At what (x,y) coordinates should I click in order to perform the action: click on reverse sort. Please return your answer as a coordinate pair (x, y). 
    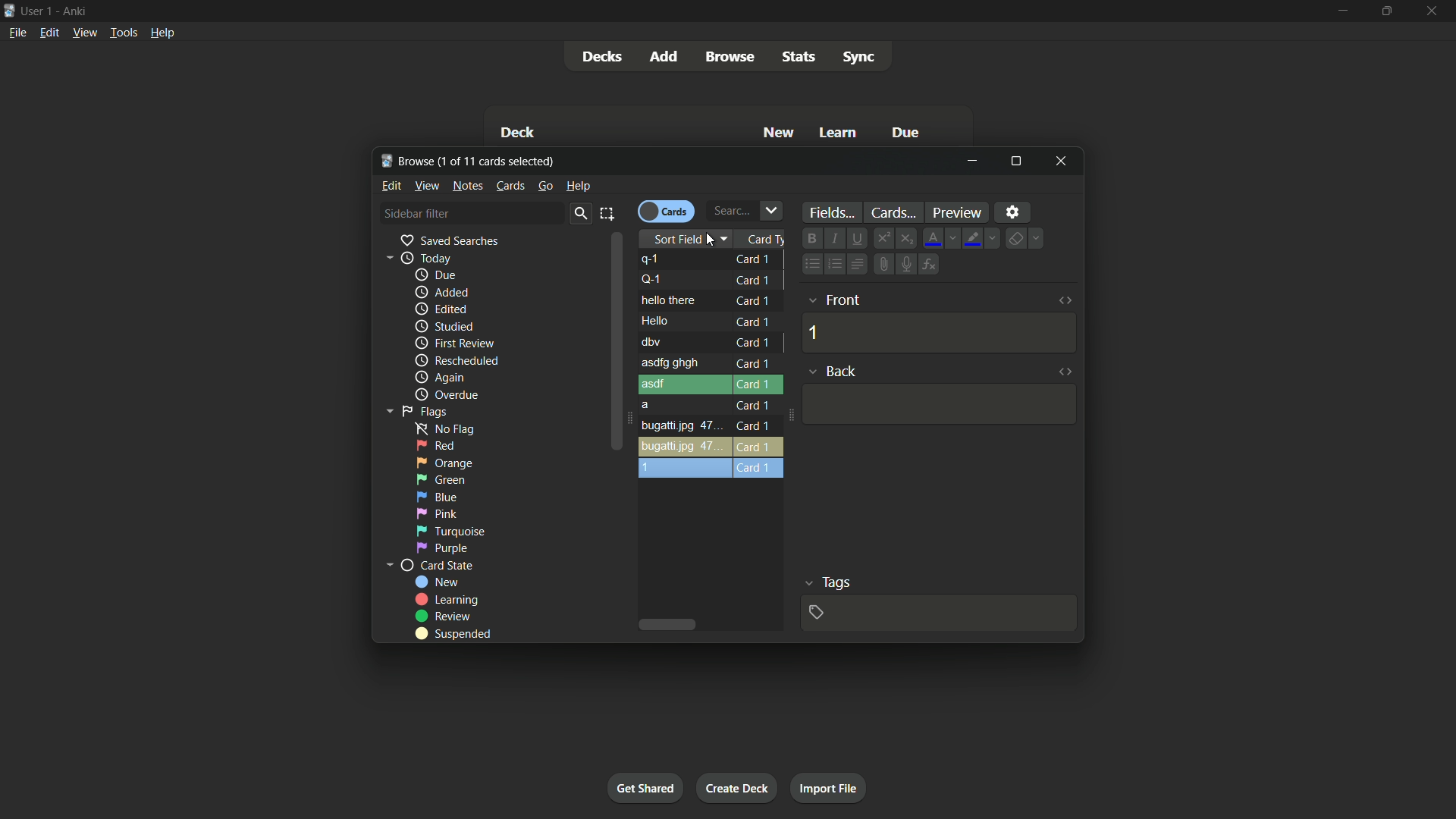
    Looking at the image, I should click on (710, 366).